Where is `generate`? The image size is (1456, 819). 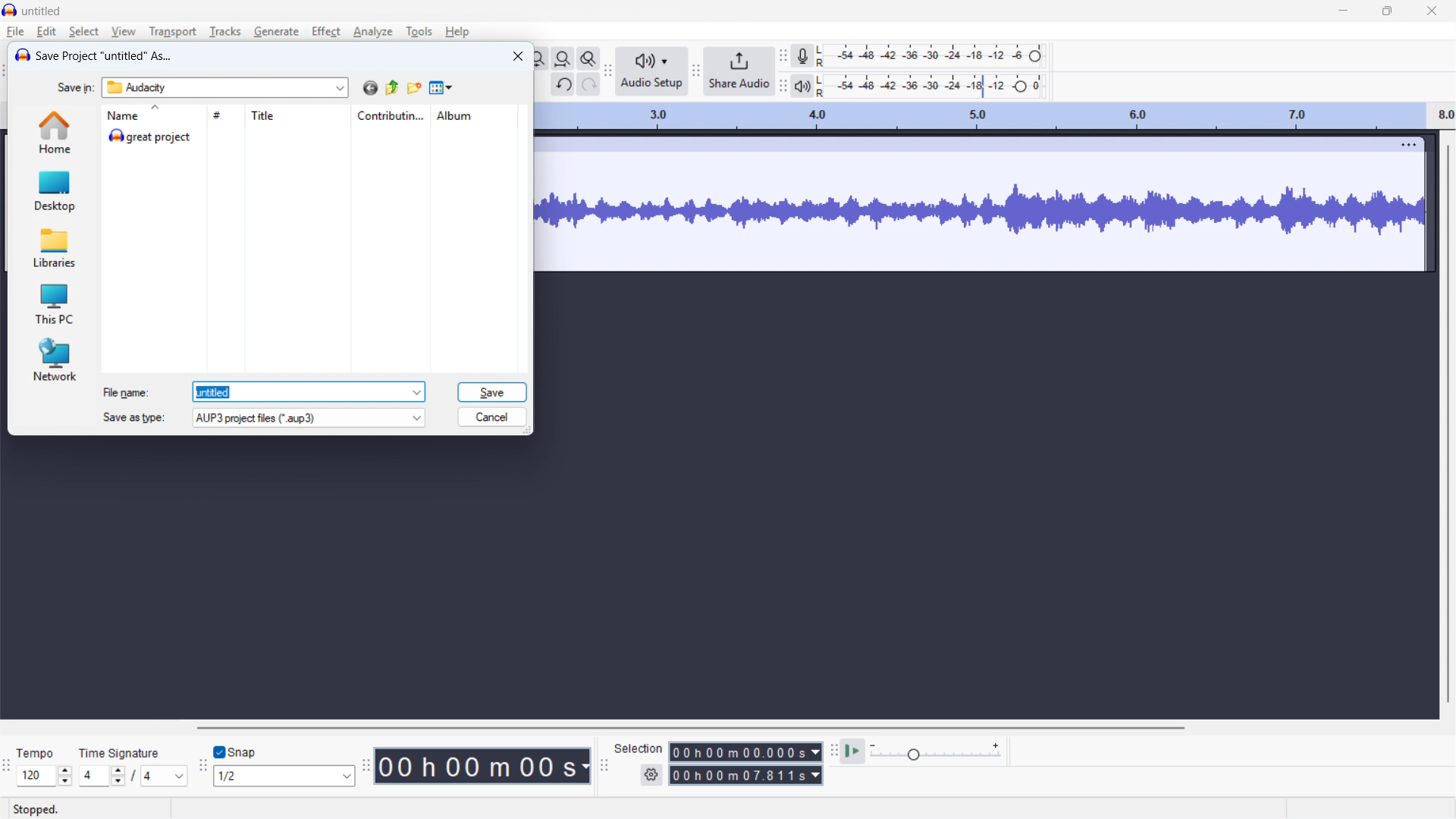
generate is located at coordinates (276, 32).